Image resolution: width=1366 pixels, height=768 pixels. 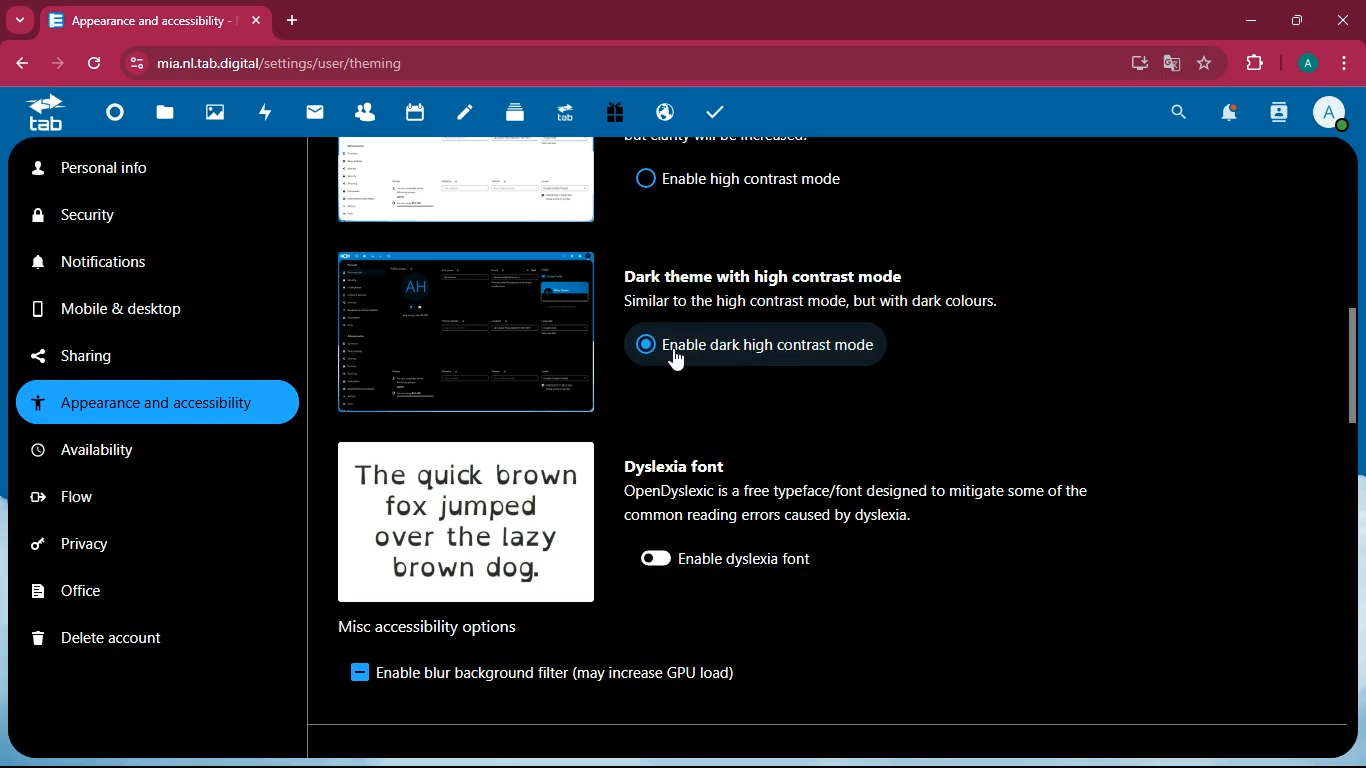 What do you see at coordinates (668, 114) in the screenshot?
I see `public` at bounding box center [668, 114].